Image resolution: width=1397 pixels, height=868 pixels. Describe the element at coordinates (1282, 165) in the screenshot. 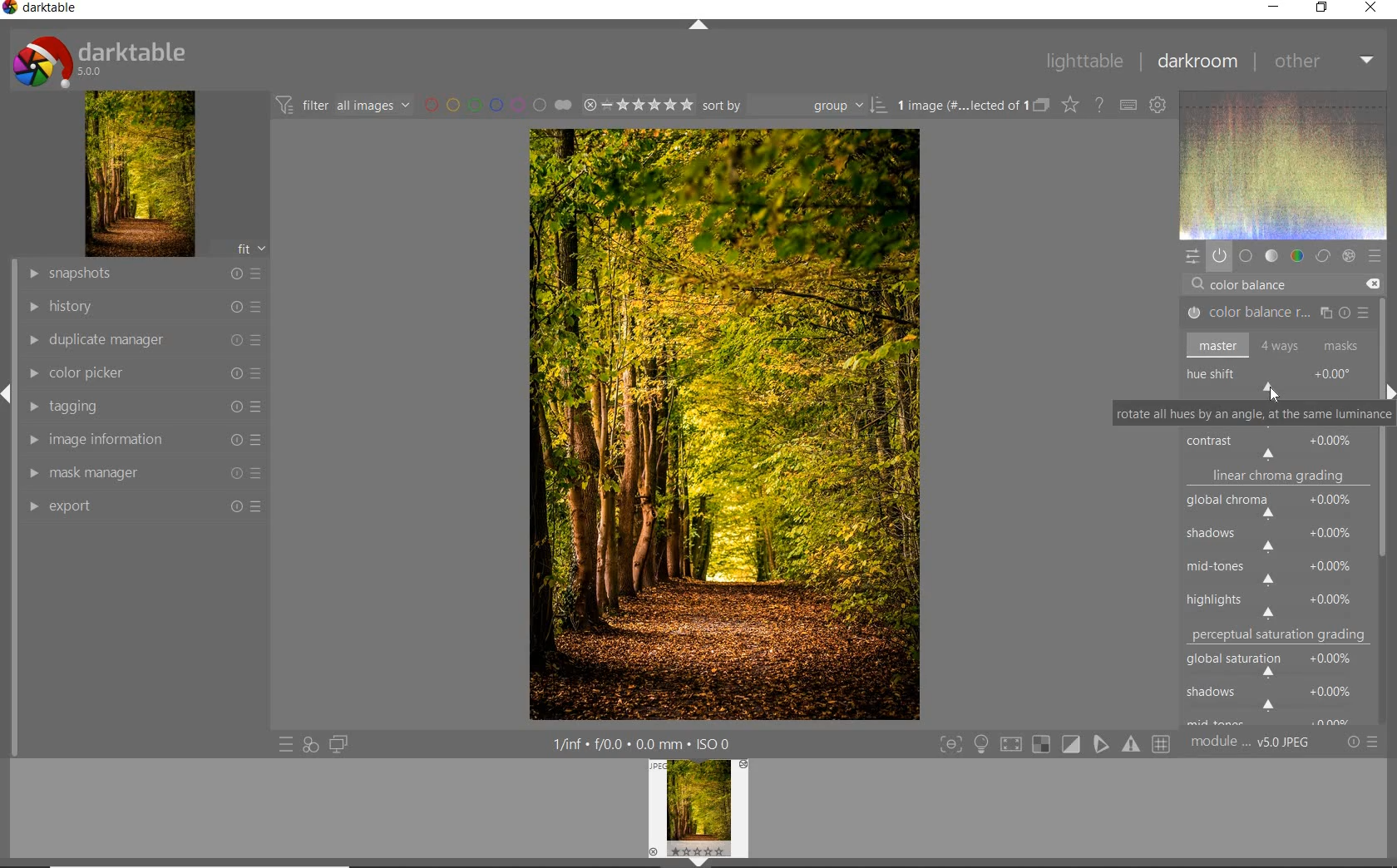

I see `wave form` at that location.